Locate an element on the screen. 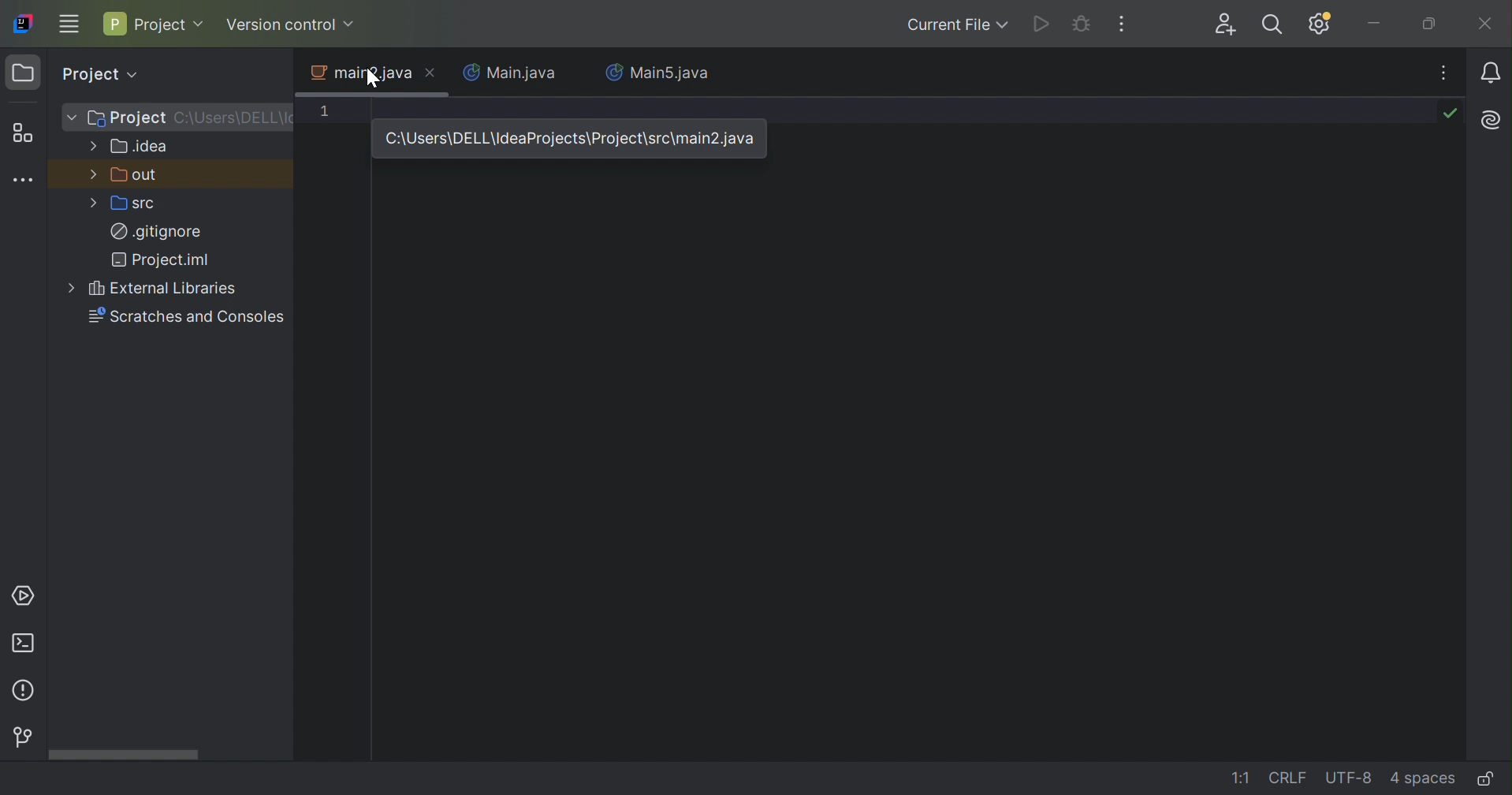  Project is located at coordinates (155, 23).